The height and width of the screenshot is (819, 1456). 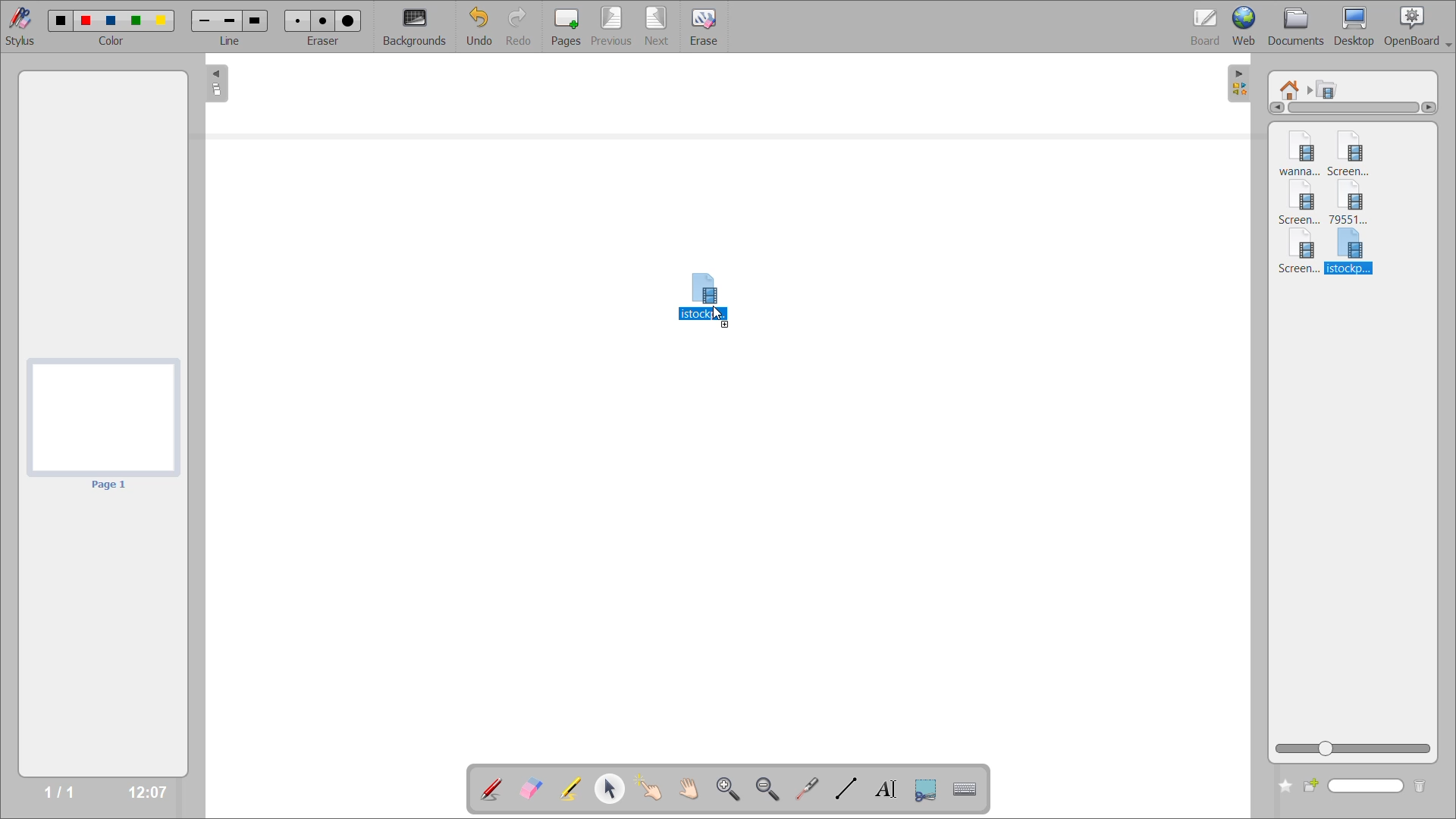 I want to click on board, so click(x=1200, y=24).